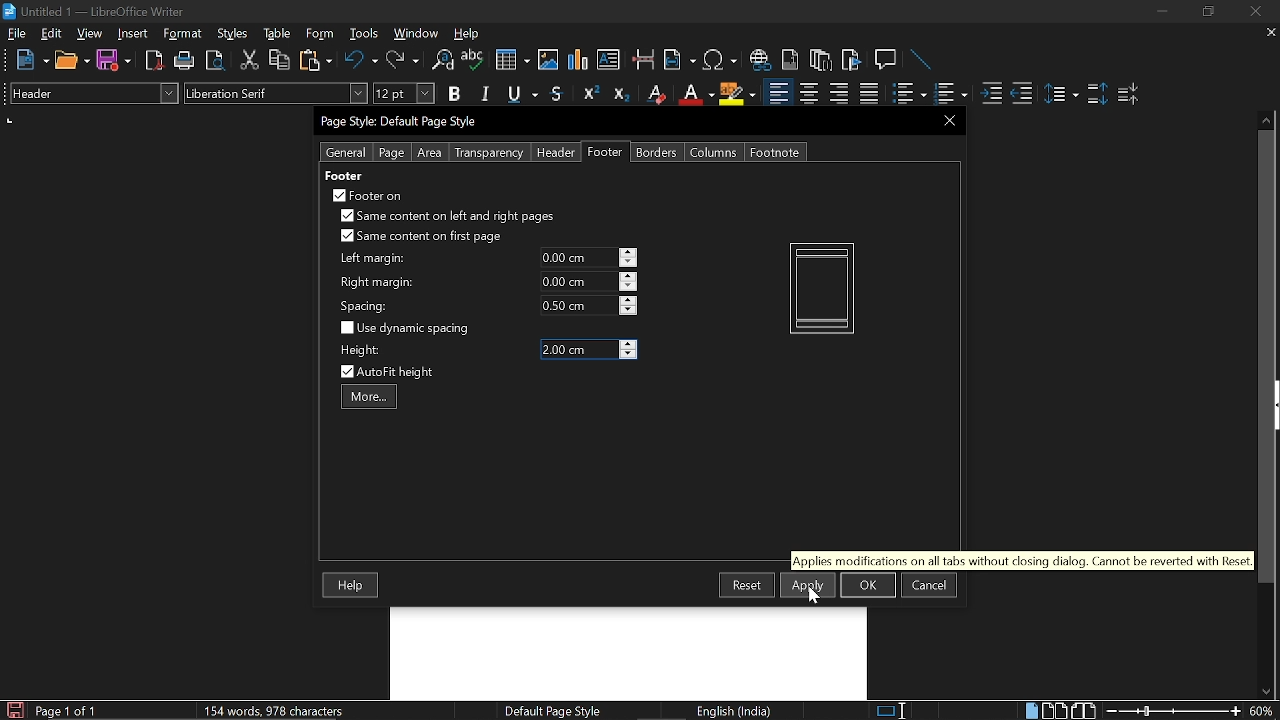  Describe the element at coordinates (577, 281) in the screenshot. I see `current right margin` at that location.